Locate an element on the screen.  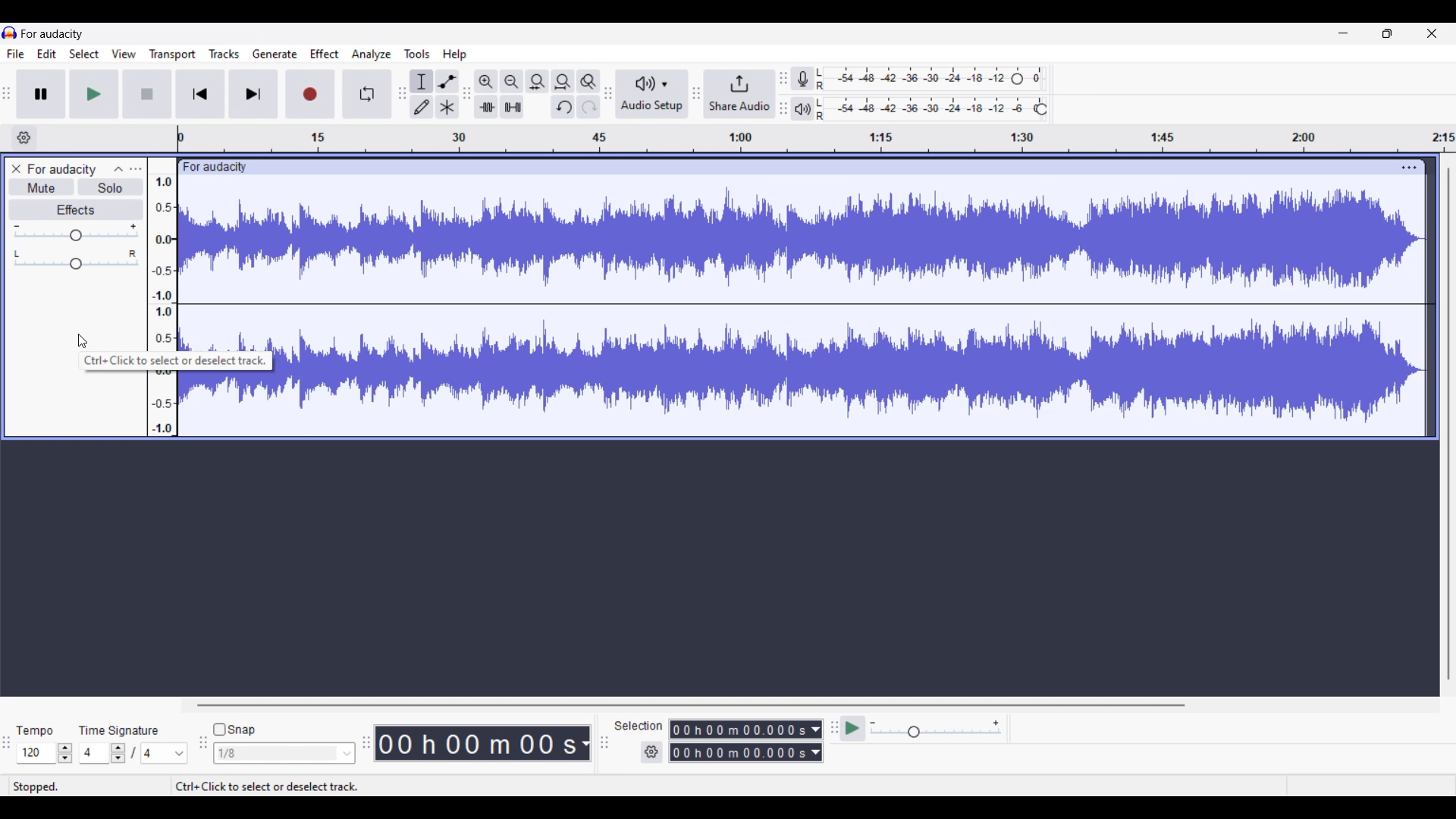
Tools menu is located at coordinates (417, 54).